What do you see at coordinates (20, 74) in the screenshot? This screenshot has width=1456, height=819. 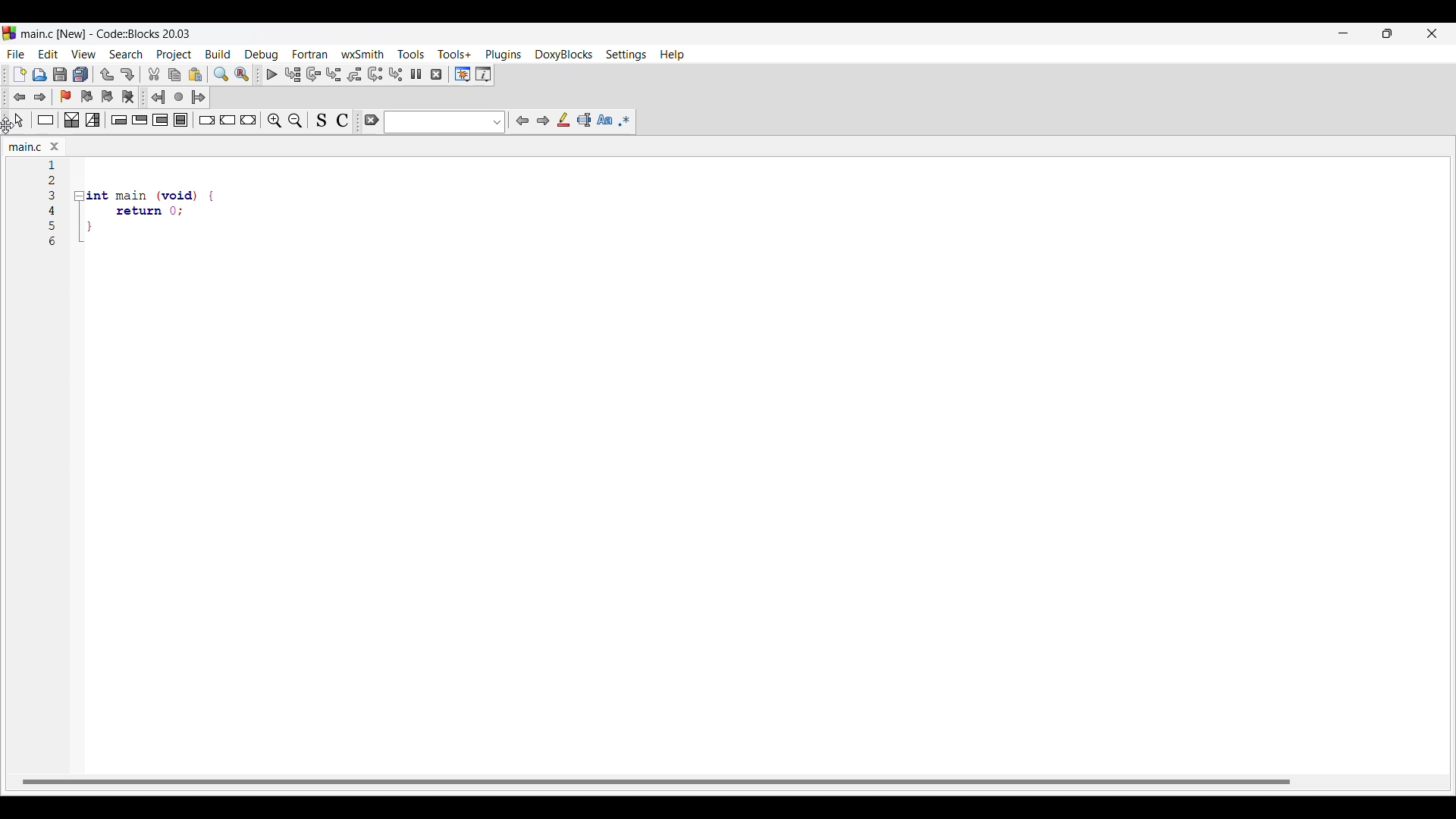 I see `New file` at bounding box center [20, 74].